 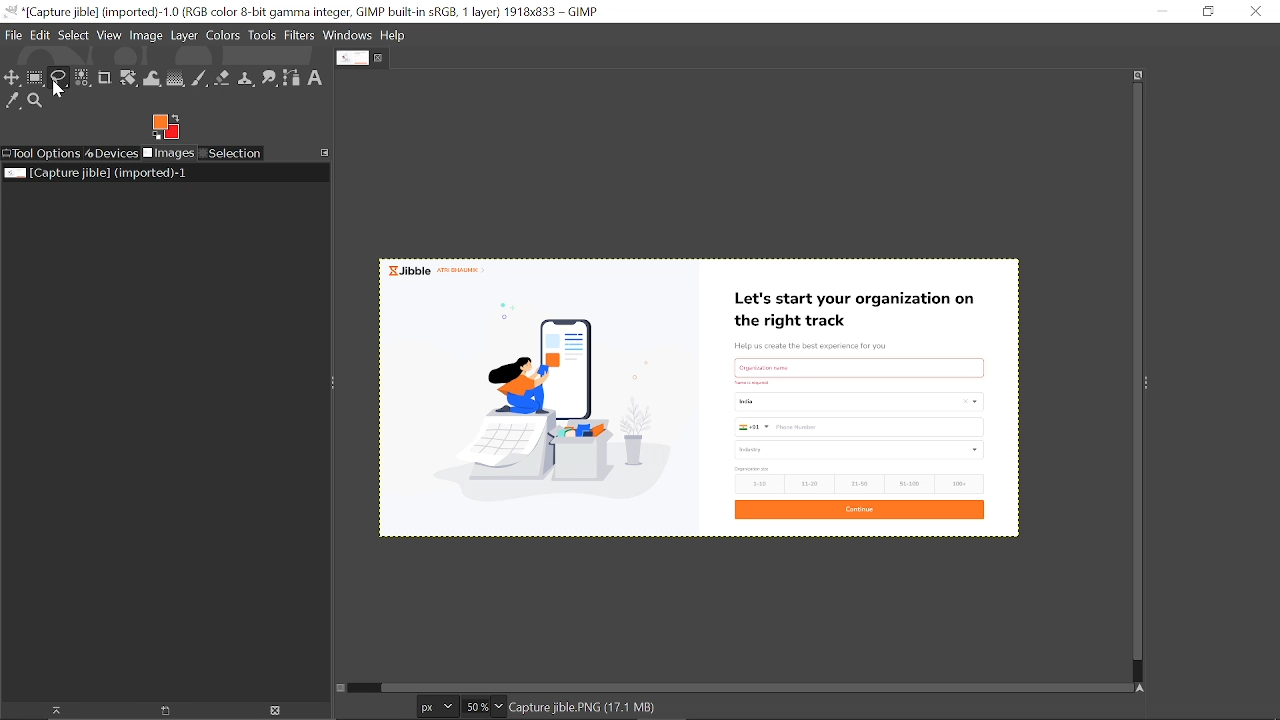 I want to click on Zoom when widow size changes, so click(x=1138, y=75).